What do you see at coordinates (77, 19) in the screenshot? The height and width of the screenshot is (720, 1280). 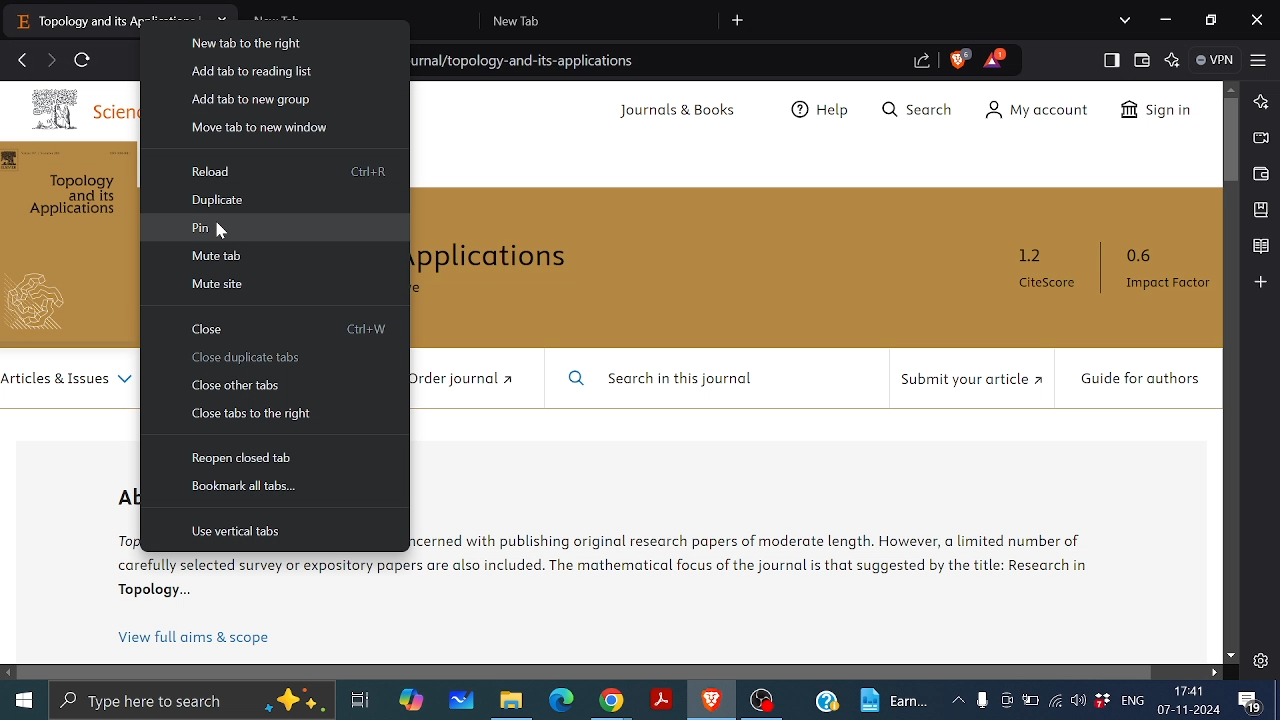 I see `tab` at bounding box center [77, 19].